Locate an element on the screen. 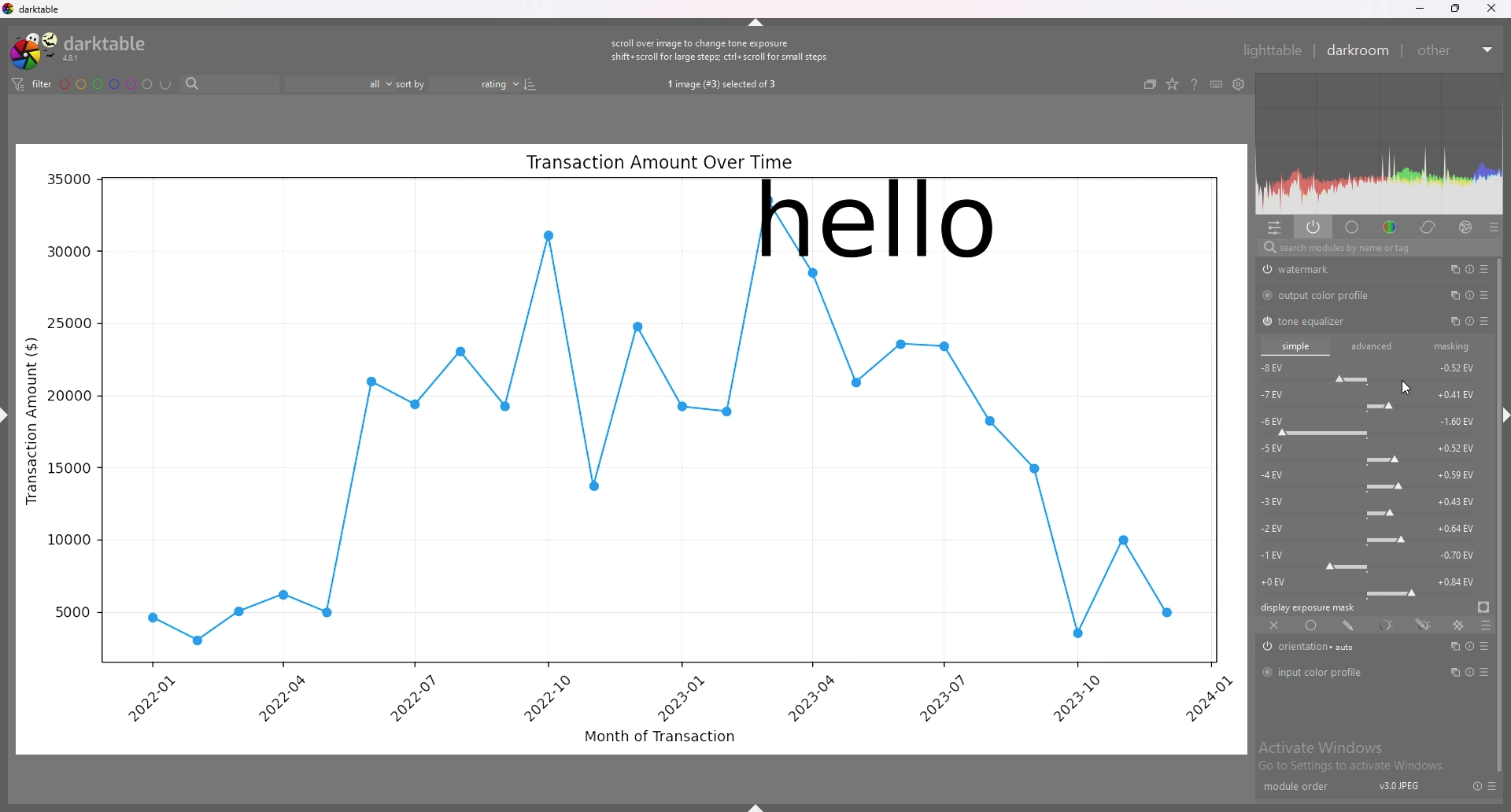  1 image (#3) selected of 3 is located at coordinates (722, 85).